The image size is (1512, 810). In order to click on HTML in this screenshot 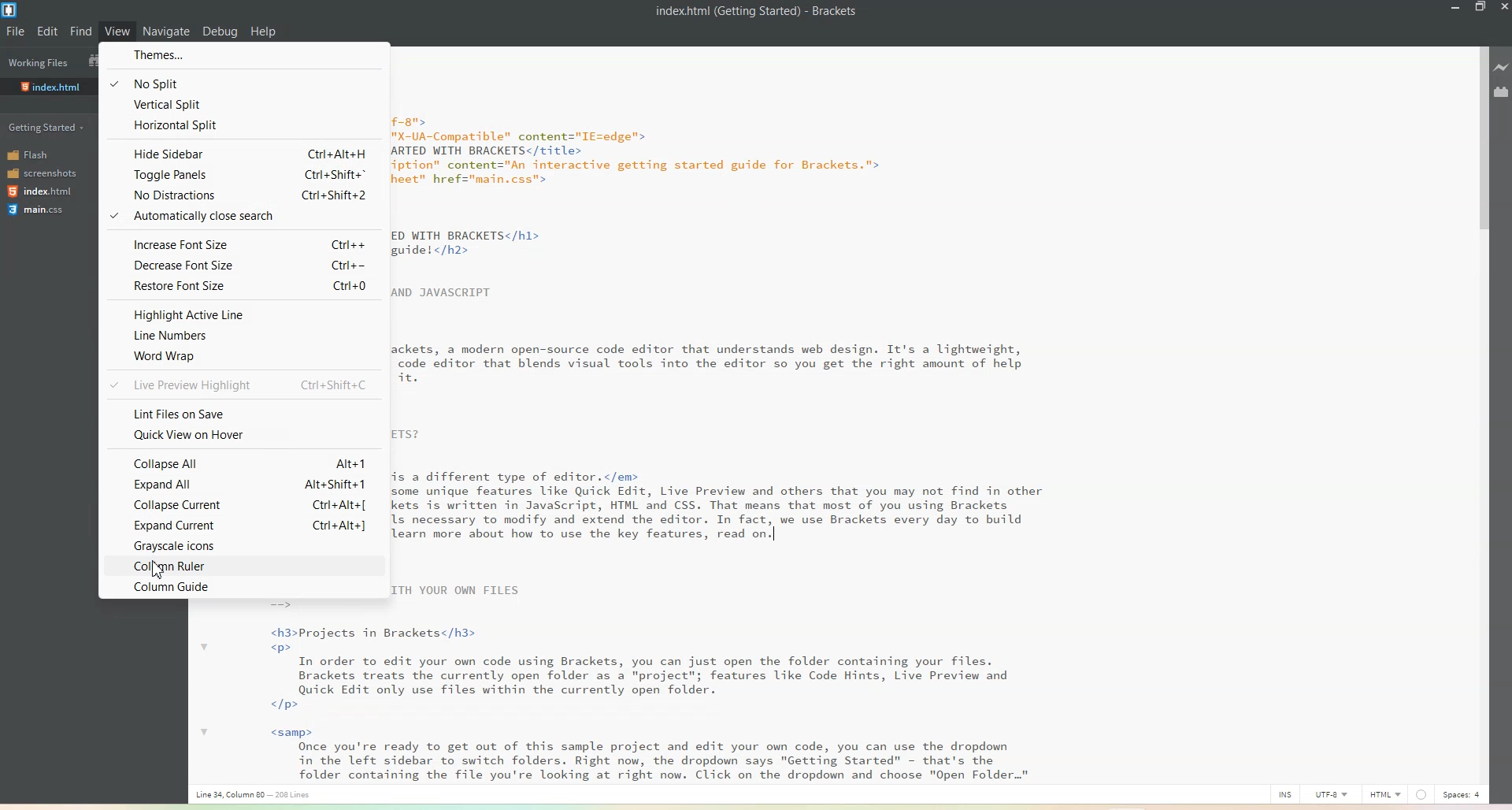, I will do `click(1384, 794)`.